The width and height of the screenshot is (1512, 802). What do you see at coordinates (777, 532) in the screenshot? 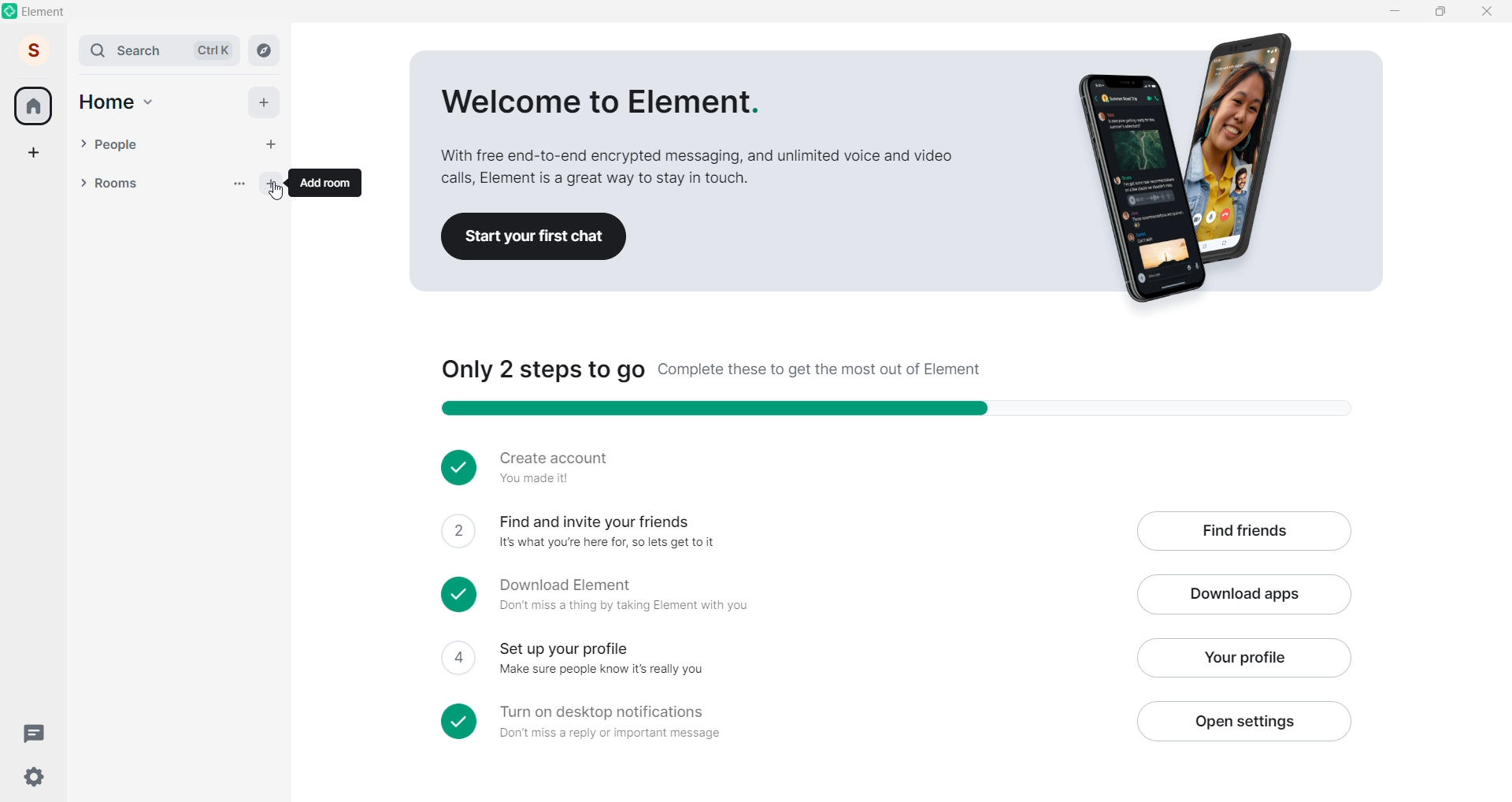
I see `2 Find and invite your friends
It's what you're here for, so lets get to it` at bounding box center [777, 532].